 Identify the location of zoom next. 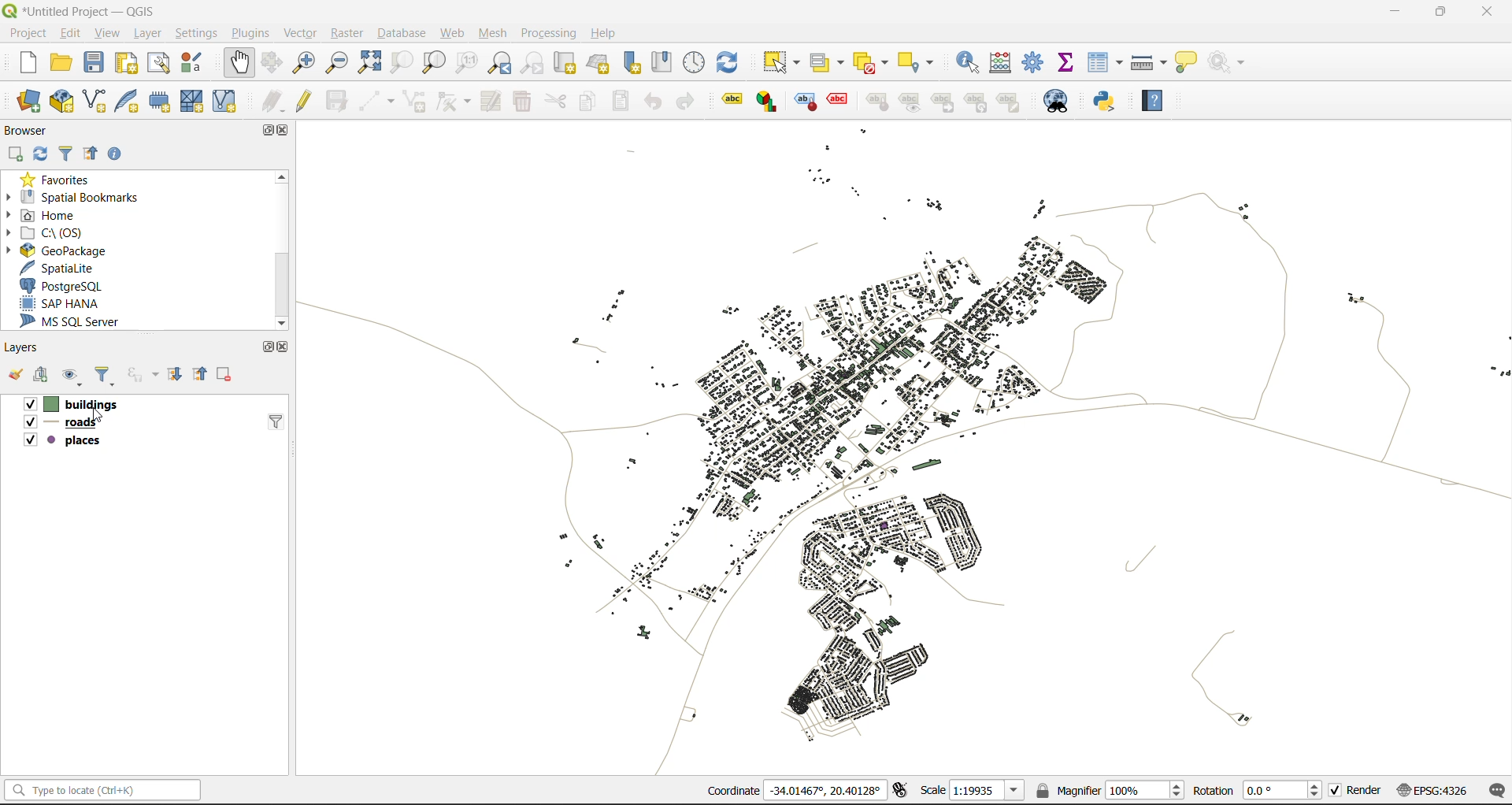
(537, 62).